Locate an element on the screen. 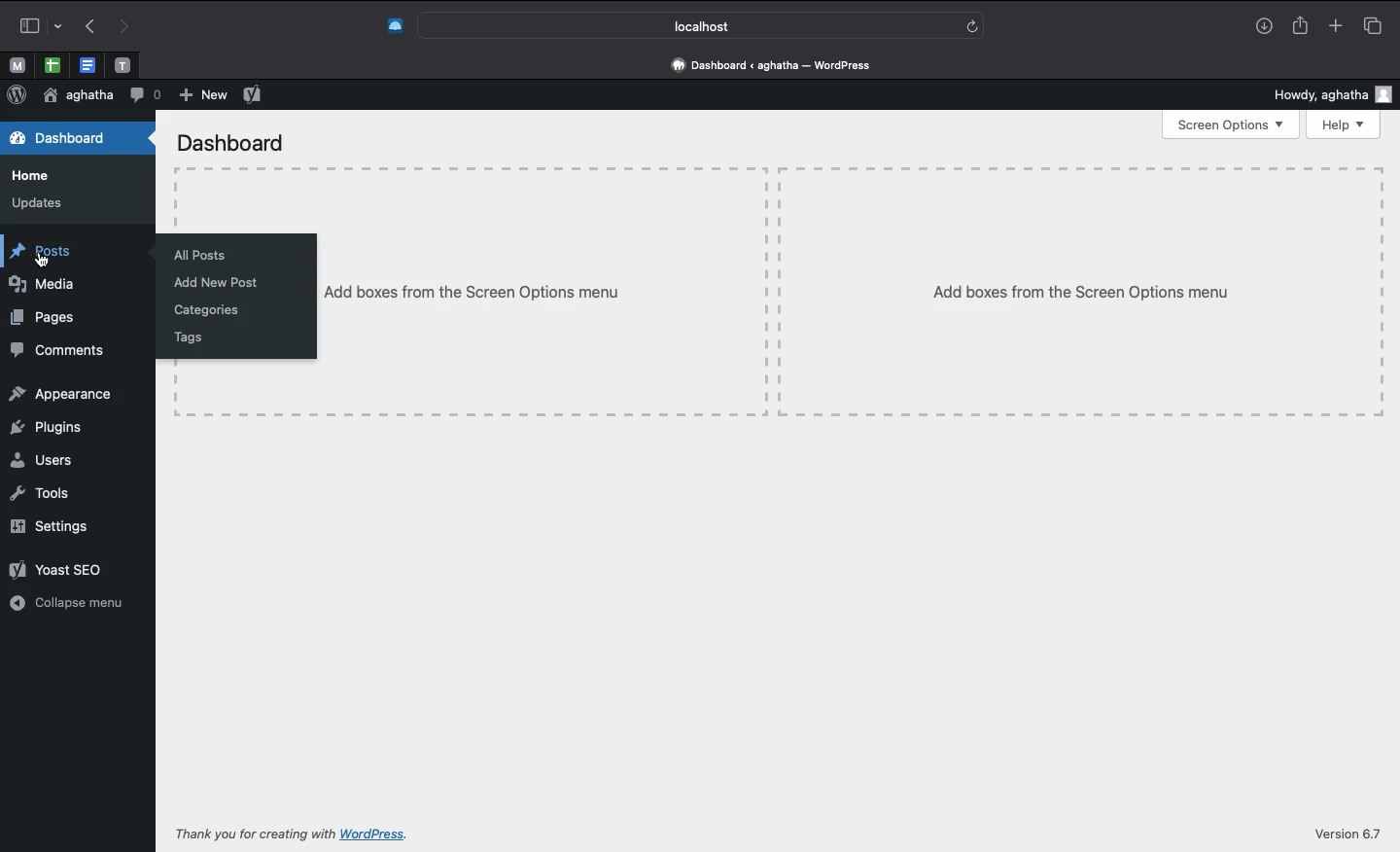 The image size is (1400, 852). Home is located at coordinates (39, 176).